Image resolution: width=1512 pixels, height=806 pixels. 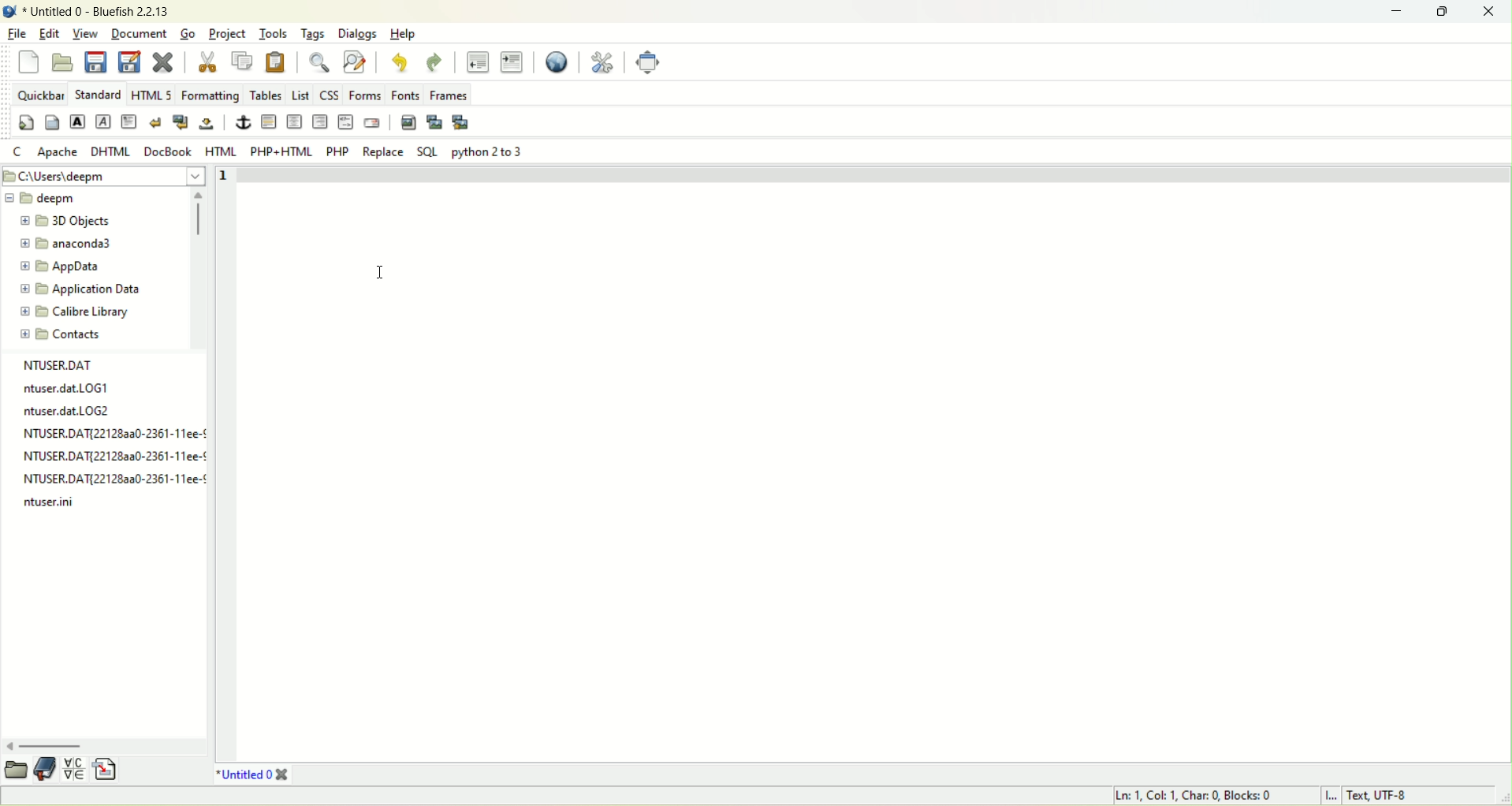 I want to click on paragraph, so click(x=130, y=122).